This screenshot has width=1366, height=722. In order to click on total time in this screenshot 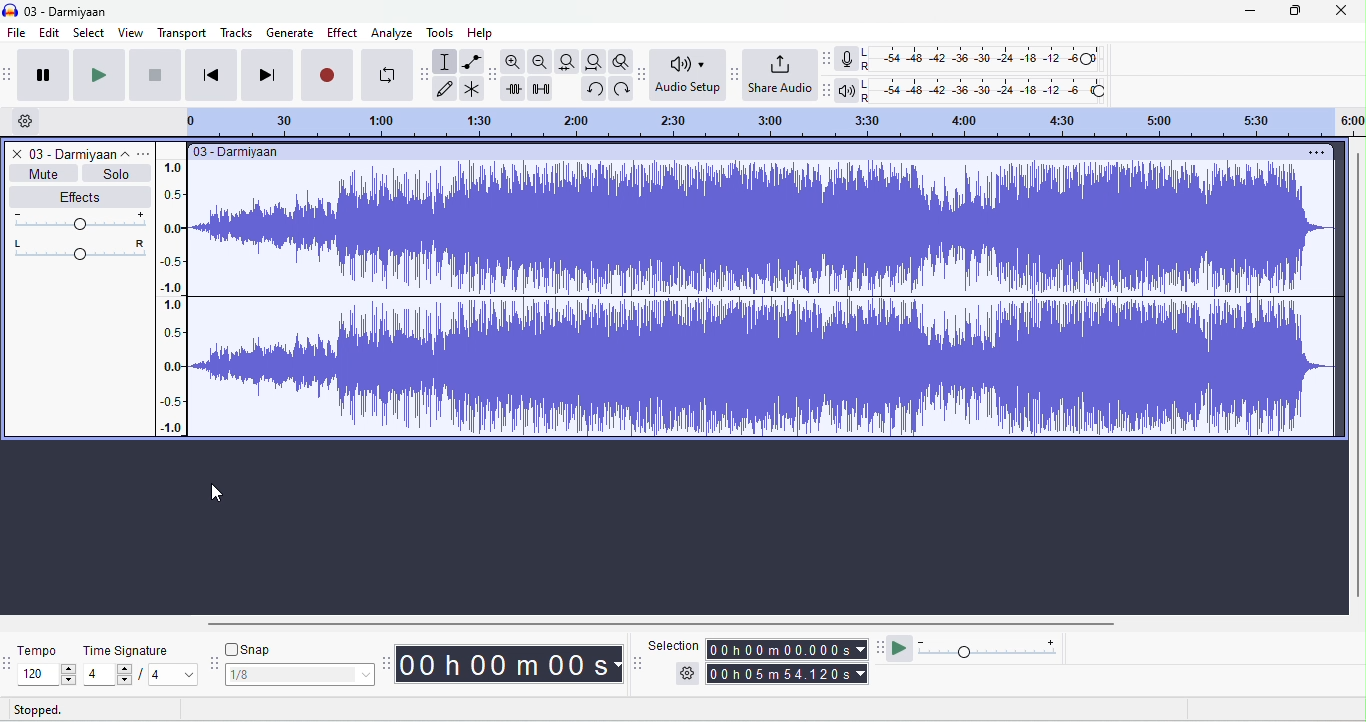, I will do `click(787, 674)`.